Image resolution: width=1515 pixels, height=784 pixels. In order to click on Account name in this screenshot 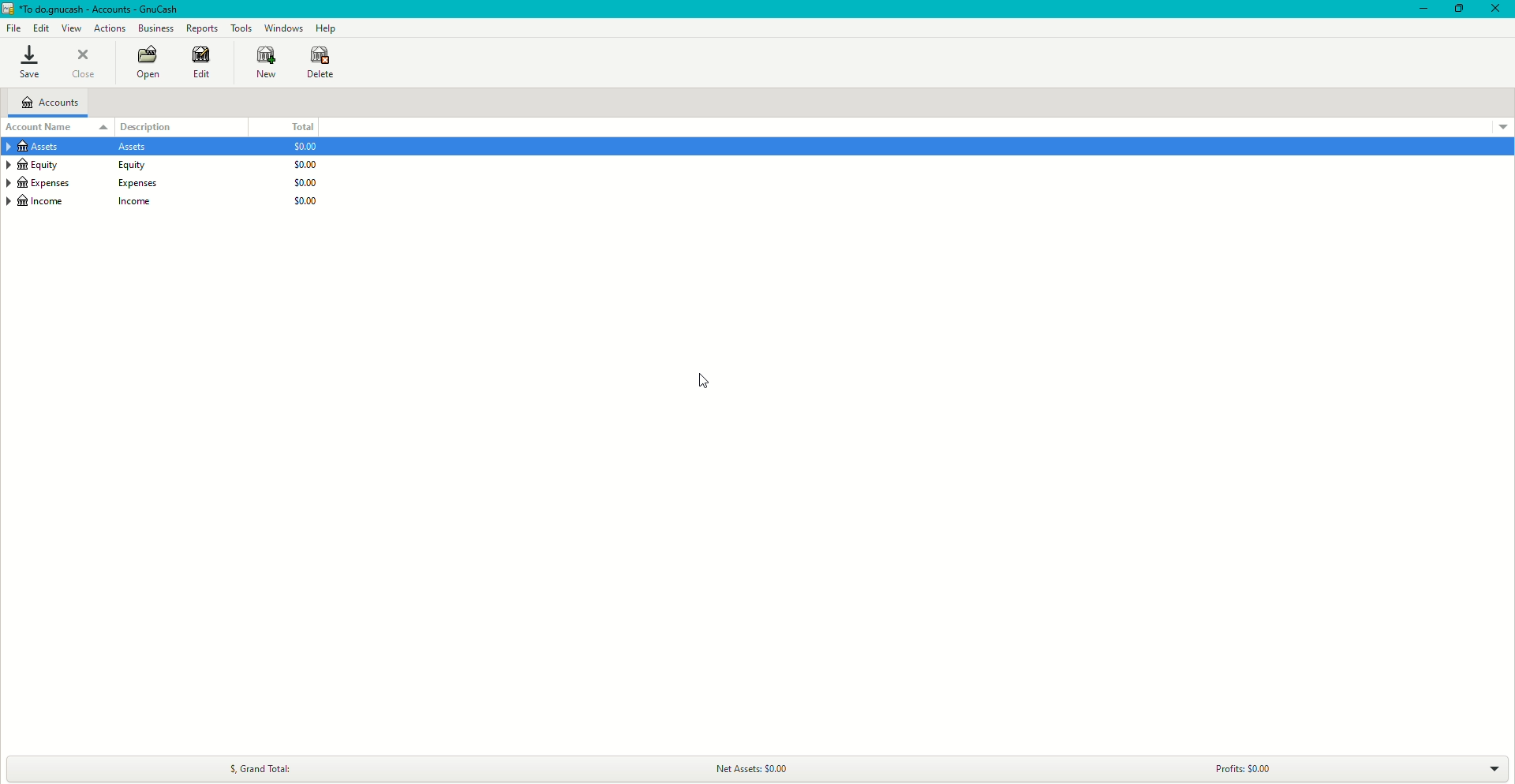, I will do `click(42, 127)`.